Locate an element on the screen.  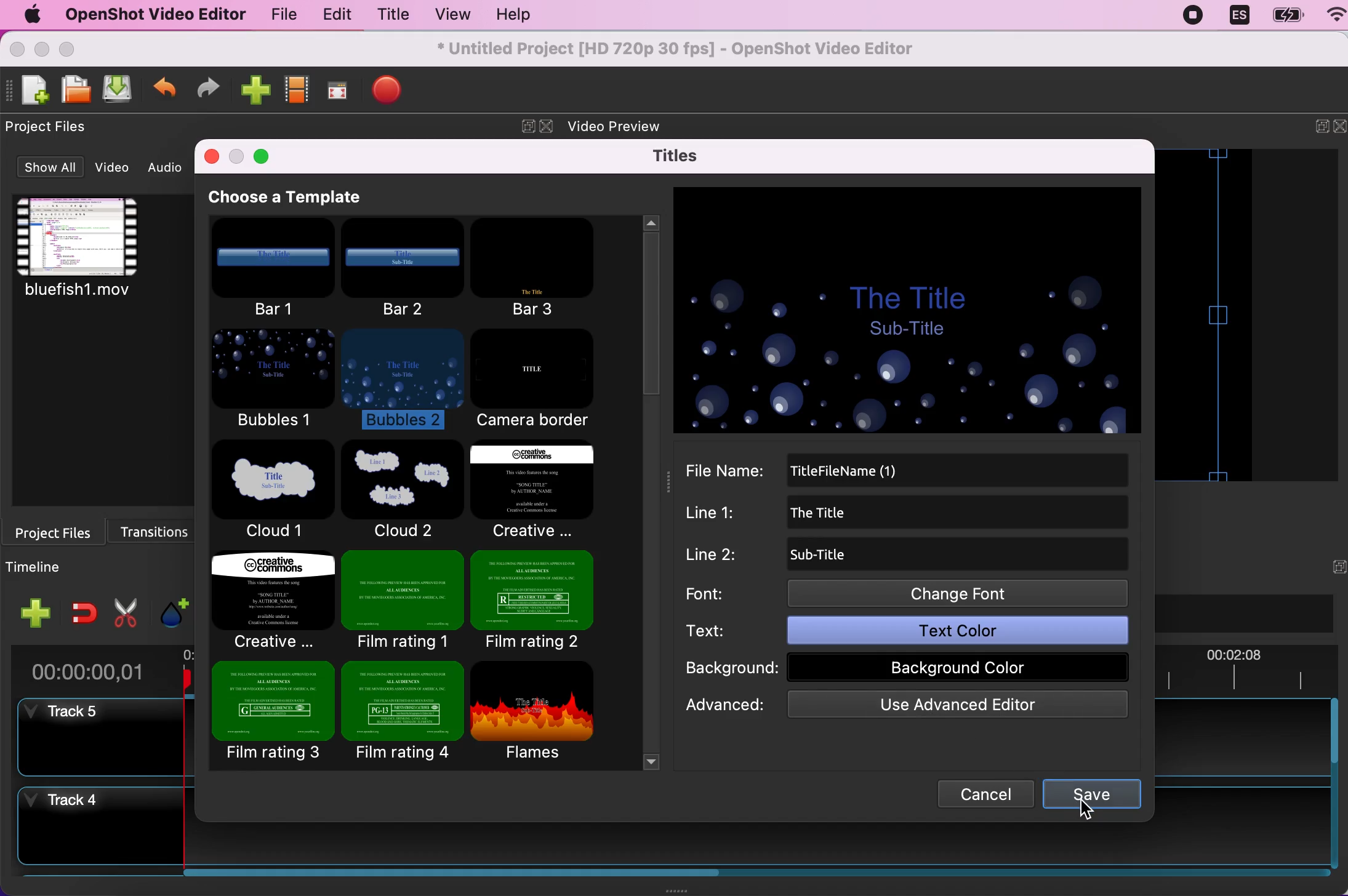
project files is located at coordinates (54, 127).